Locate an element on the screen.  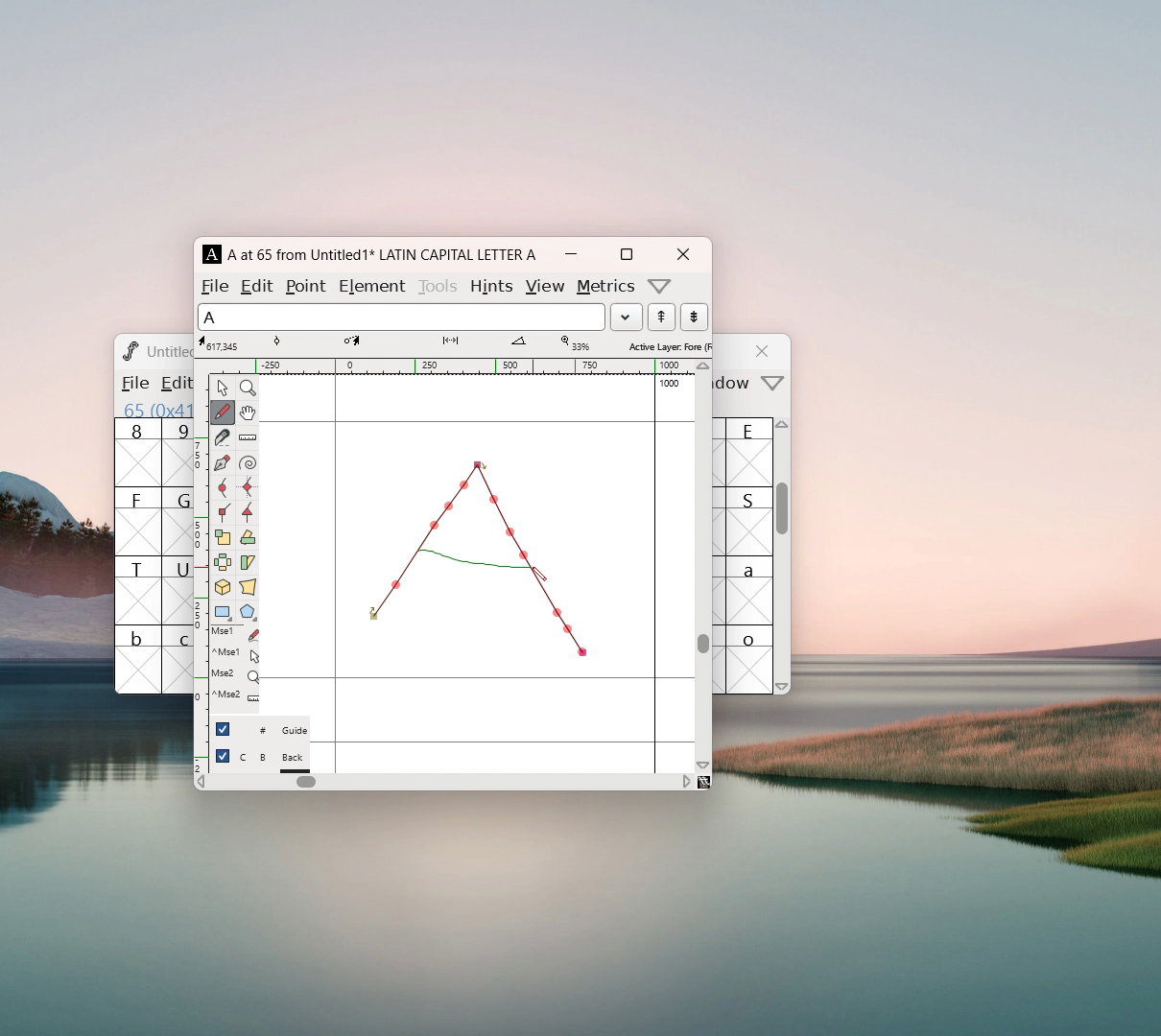
measure distance, angle between points is located at coordinates (248, 438).